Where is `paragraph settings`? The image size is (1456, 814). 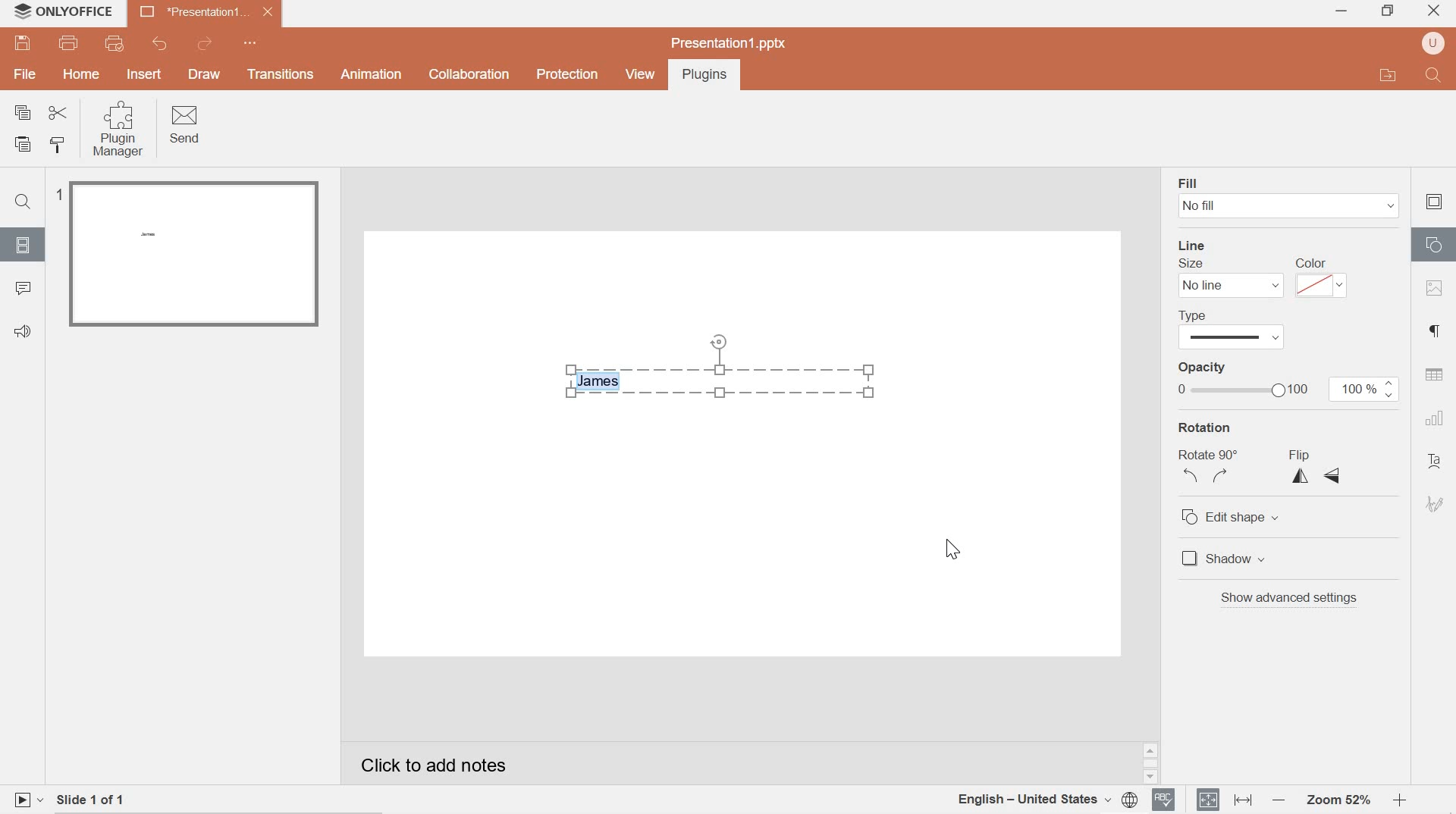
paragraph settings is located at coordinates (1437, 332).